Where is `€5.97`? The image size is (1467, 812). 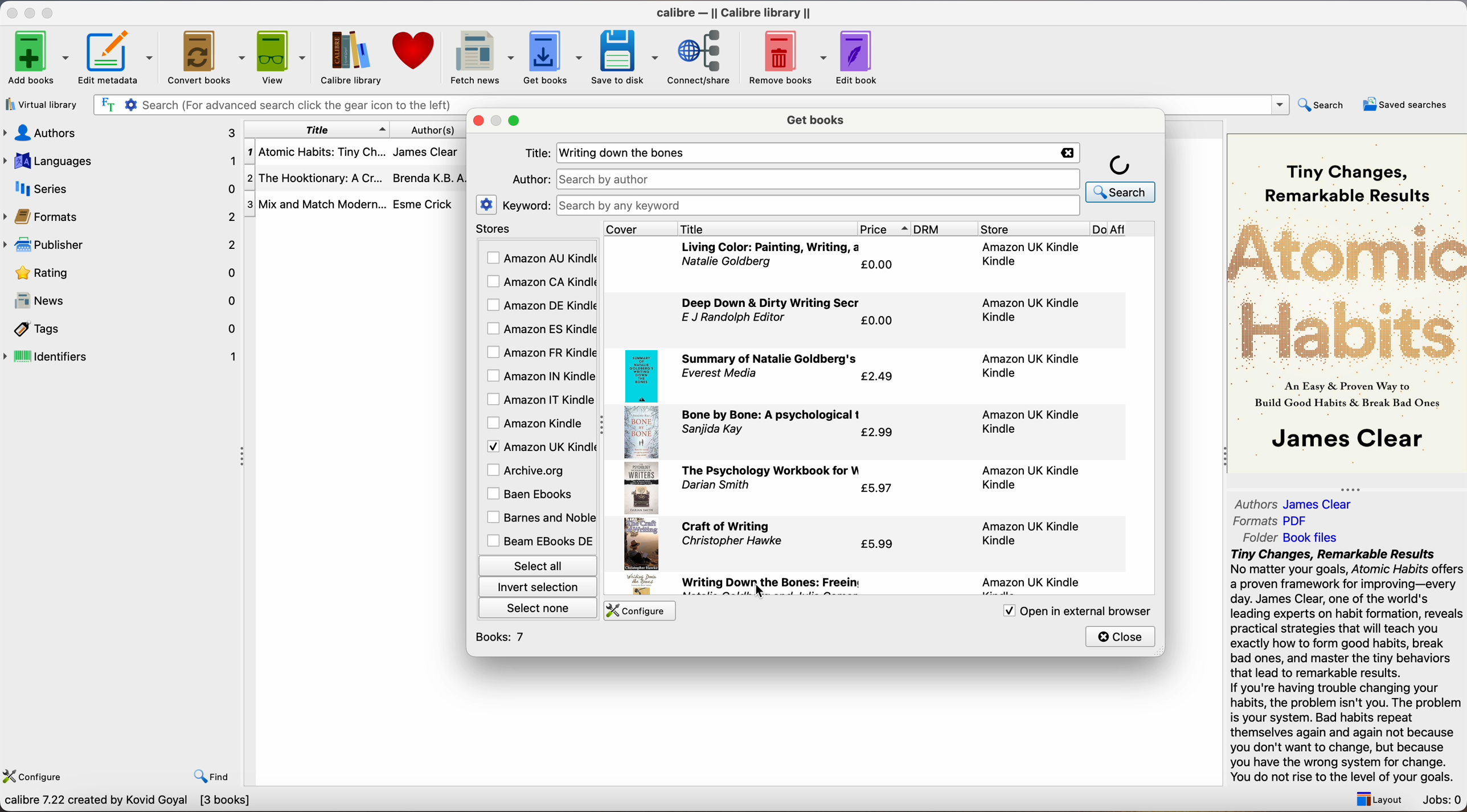
€5.97 is located at coordinates (877, 490).